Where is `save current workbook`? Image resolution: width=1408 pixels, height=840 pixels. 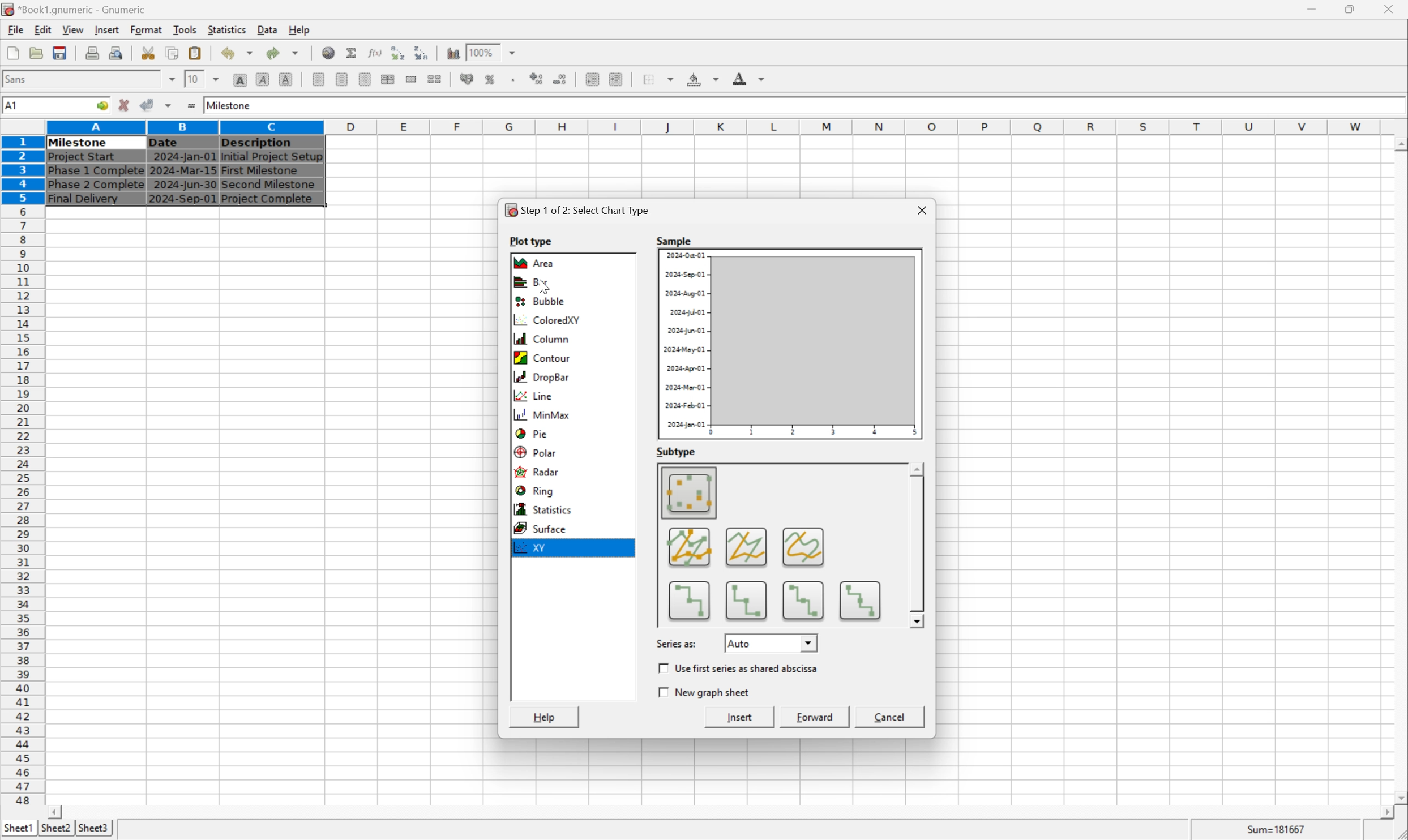 save current workbook is located at coordinates (60, 54).